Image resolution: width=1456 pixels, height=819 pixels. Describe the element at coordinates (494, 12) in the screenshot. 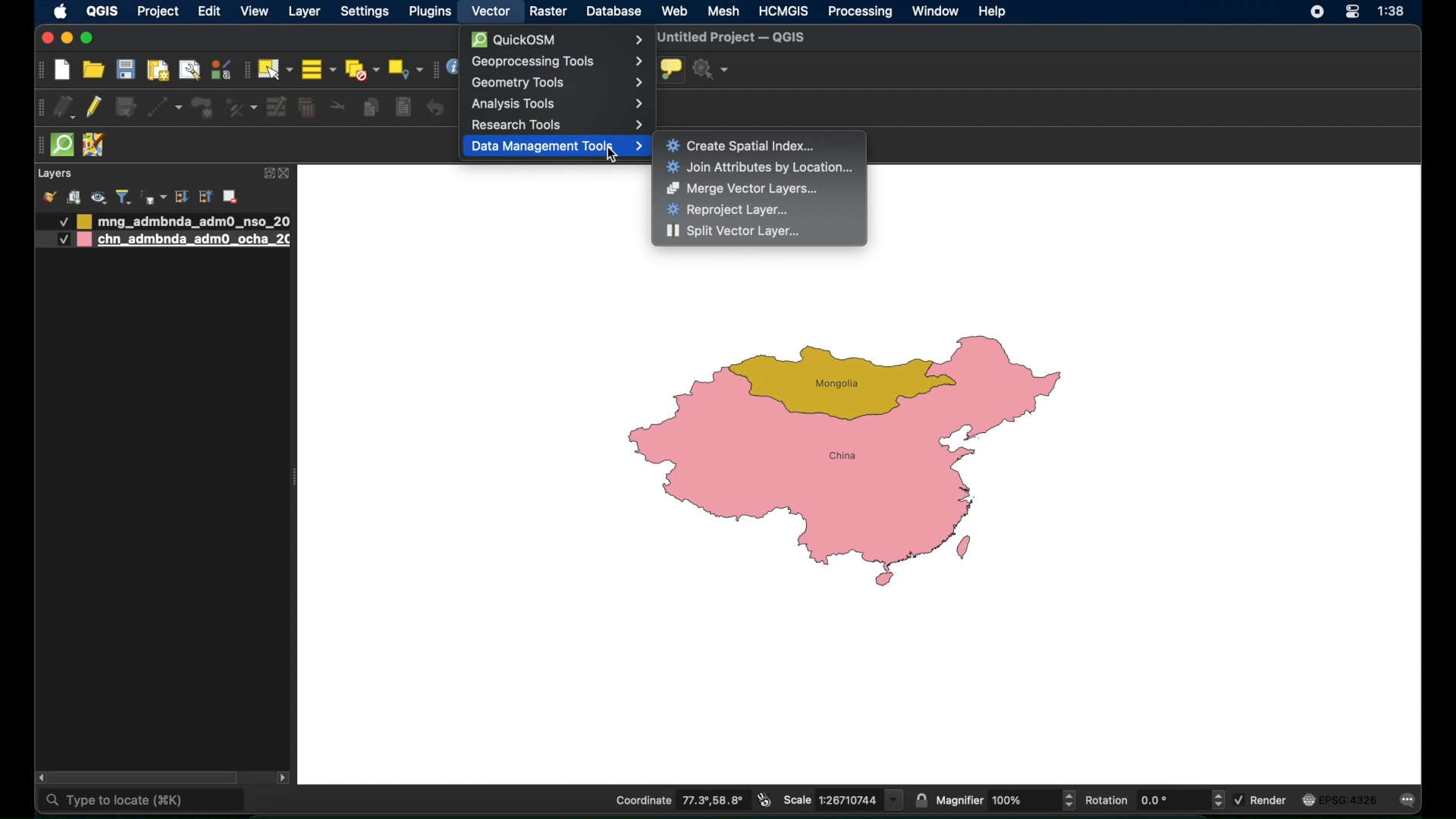

I see `vector` at that location.